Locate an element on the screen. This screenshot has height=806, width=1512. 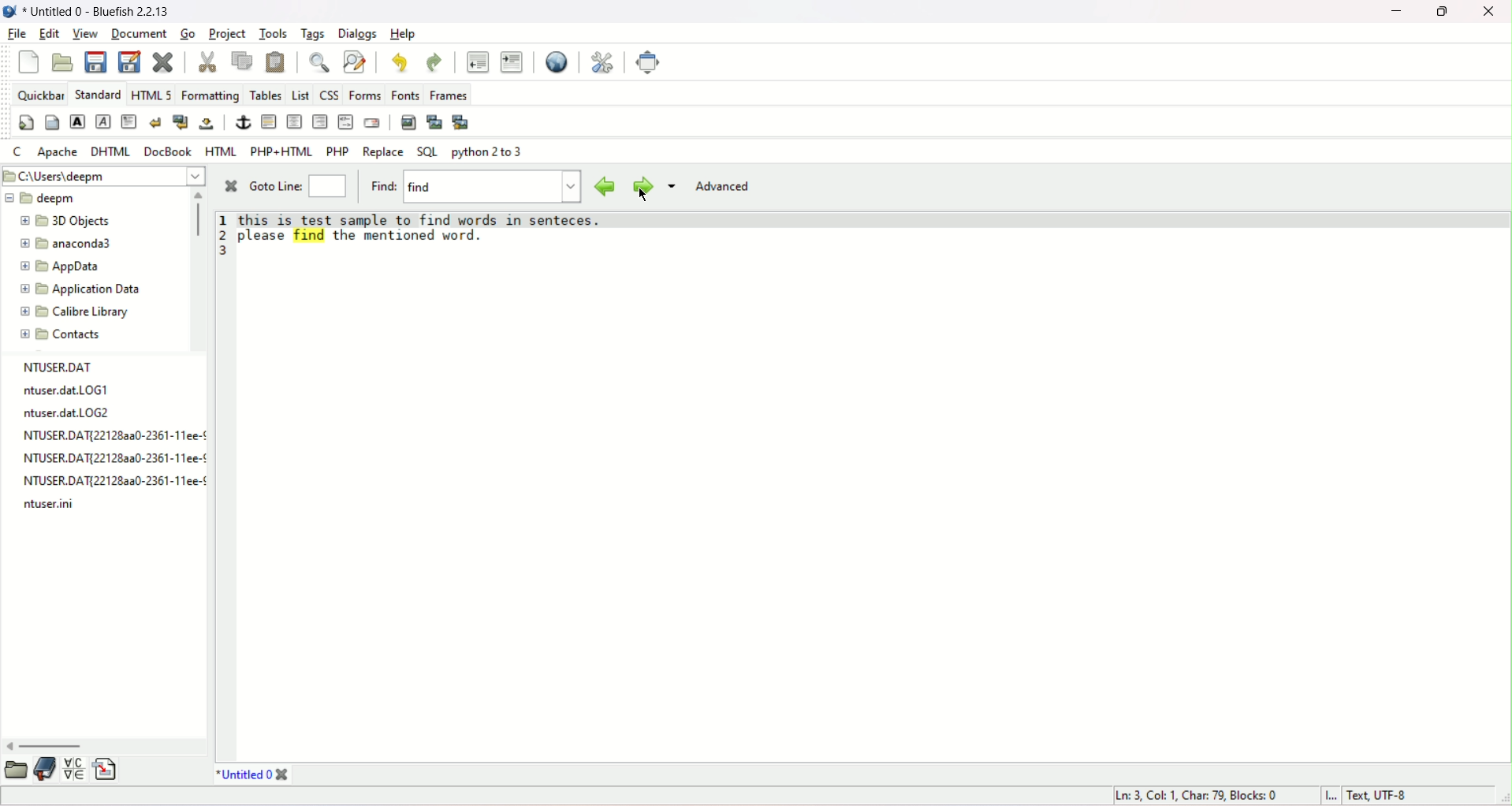
REPLACE is located at coordinates (383, 152).